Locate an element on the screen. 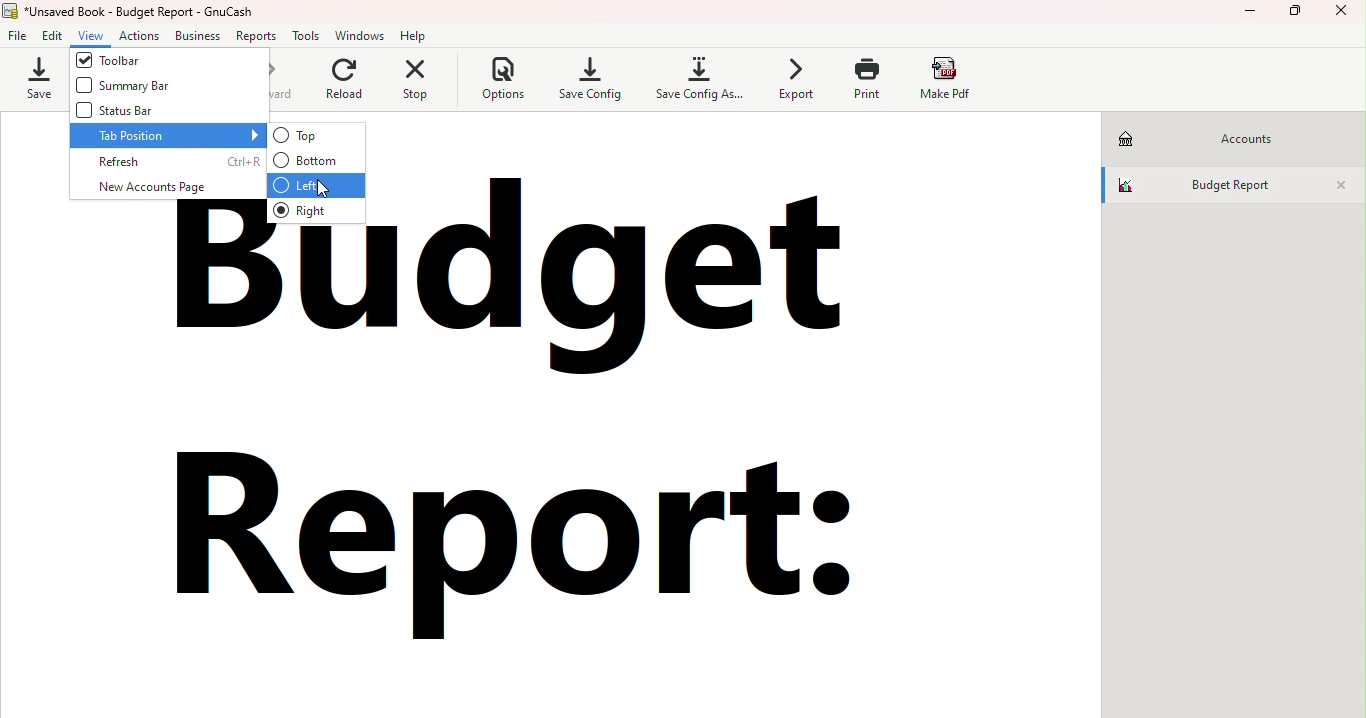 The image size is (1366, 718). Reports is located at coordinates (256, 38).